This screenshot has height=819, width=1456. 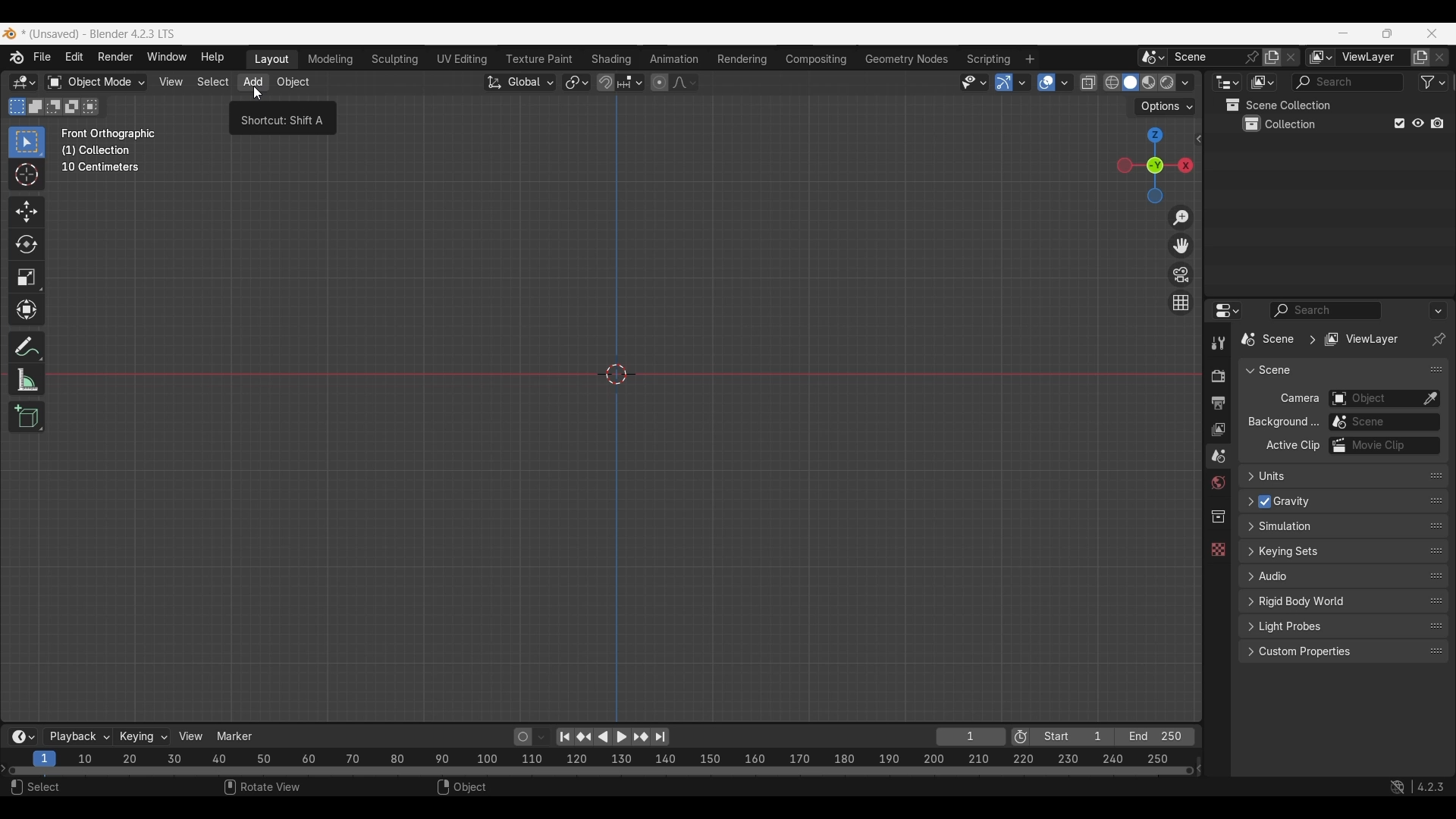 I want to click on Pin scene to workspace, so click(x=1215, y=57).